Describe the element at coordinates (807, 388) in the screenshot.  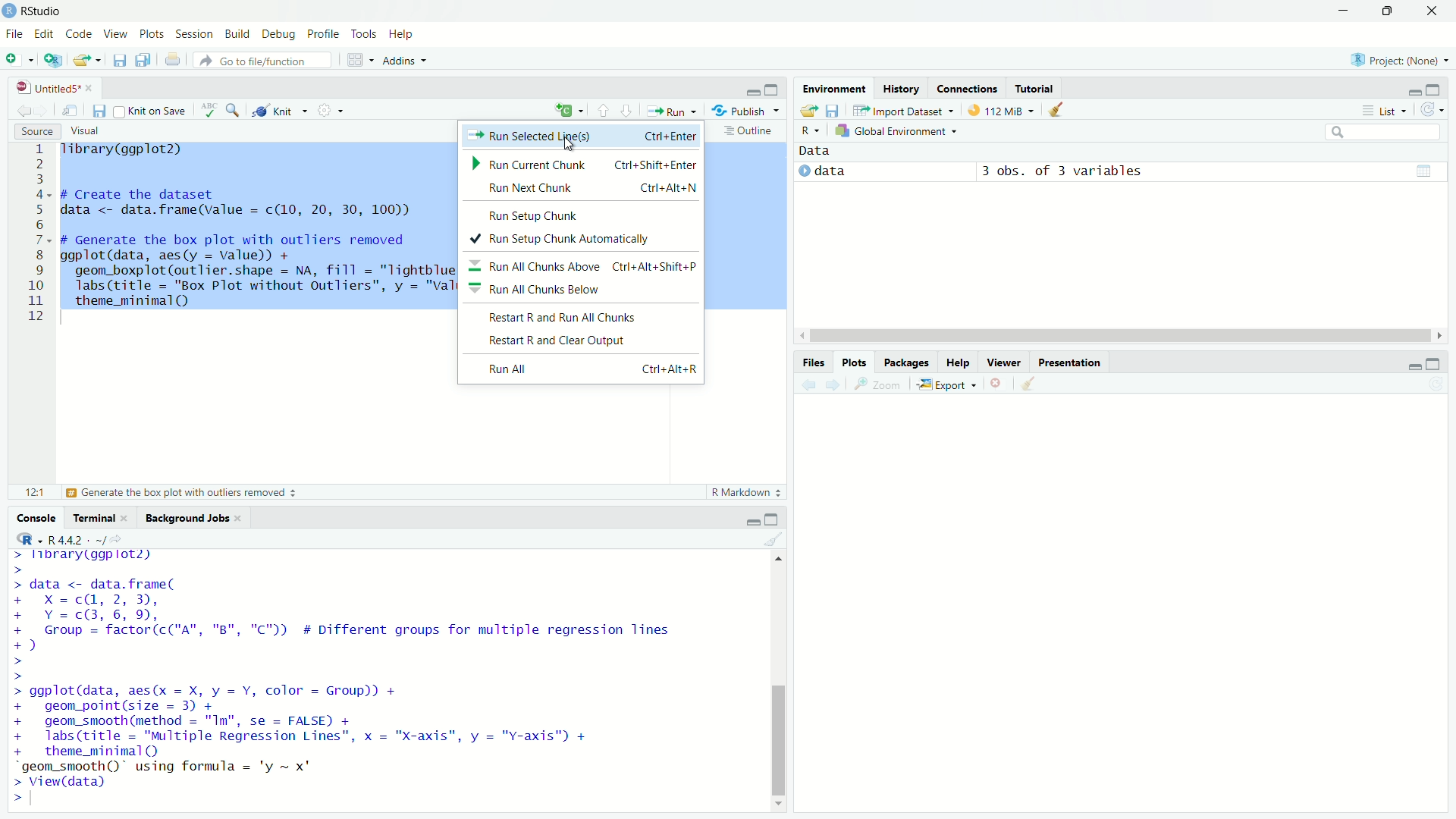
I see `back` at that location.